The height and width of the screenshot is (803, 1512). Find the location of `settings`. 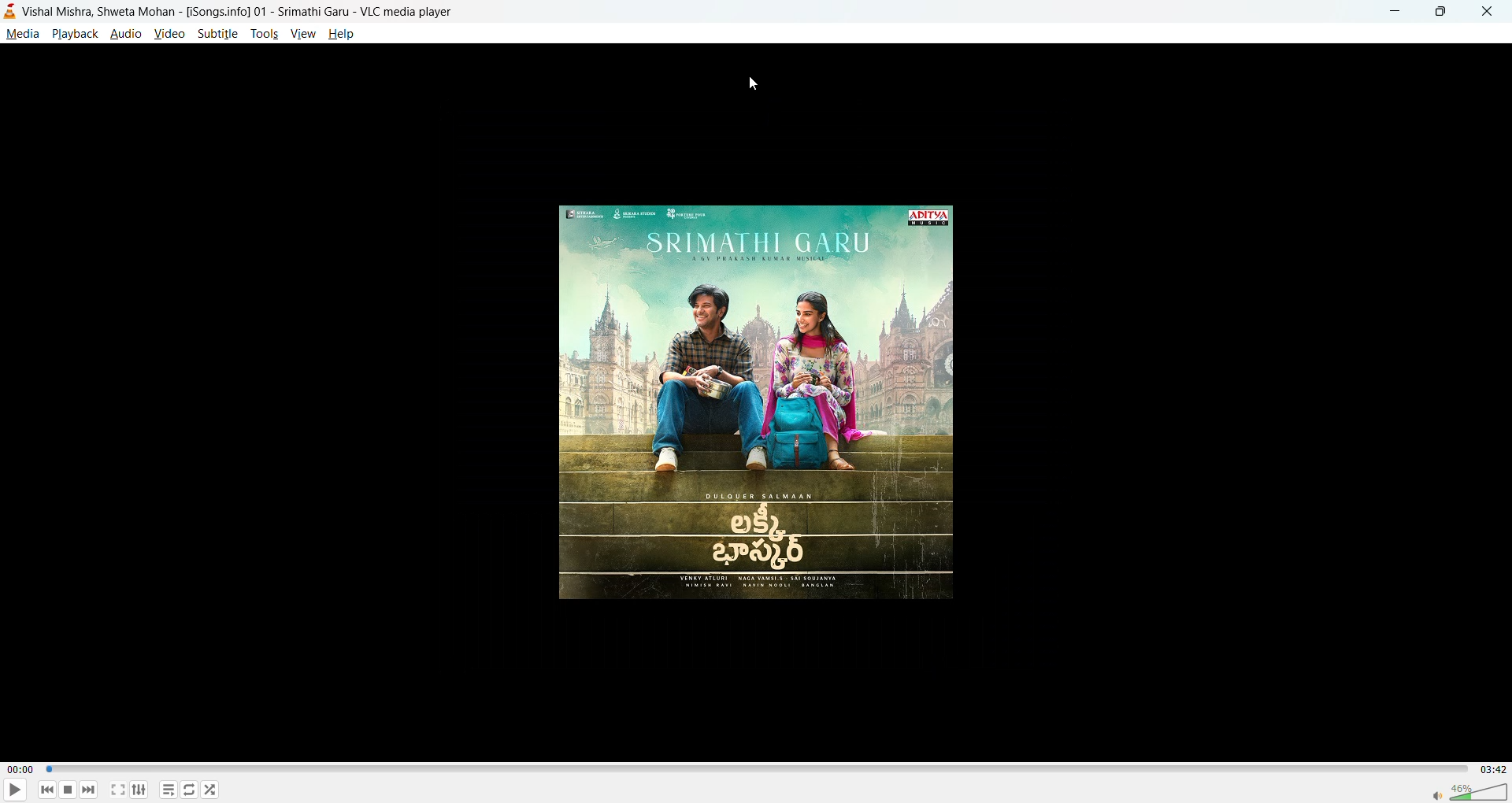

settings is located at coordinates (139, 789).